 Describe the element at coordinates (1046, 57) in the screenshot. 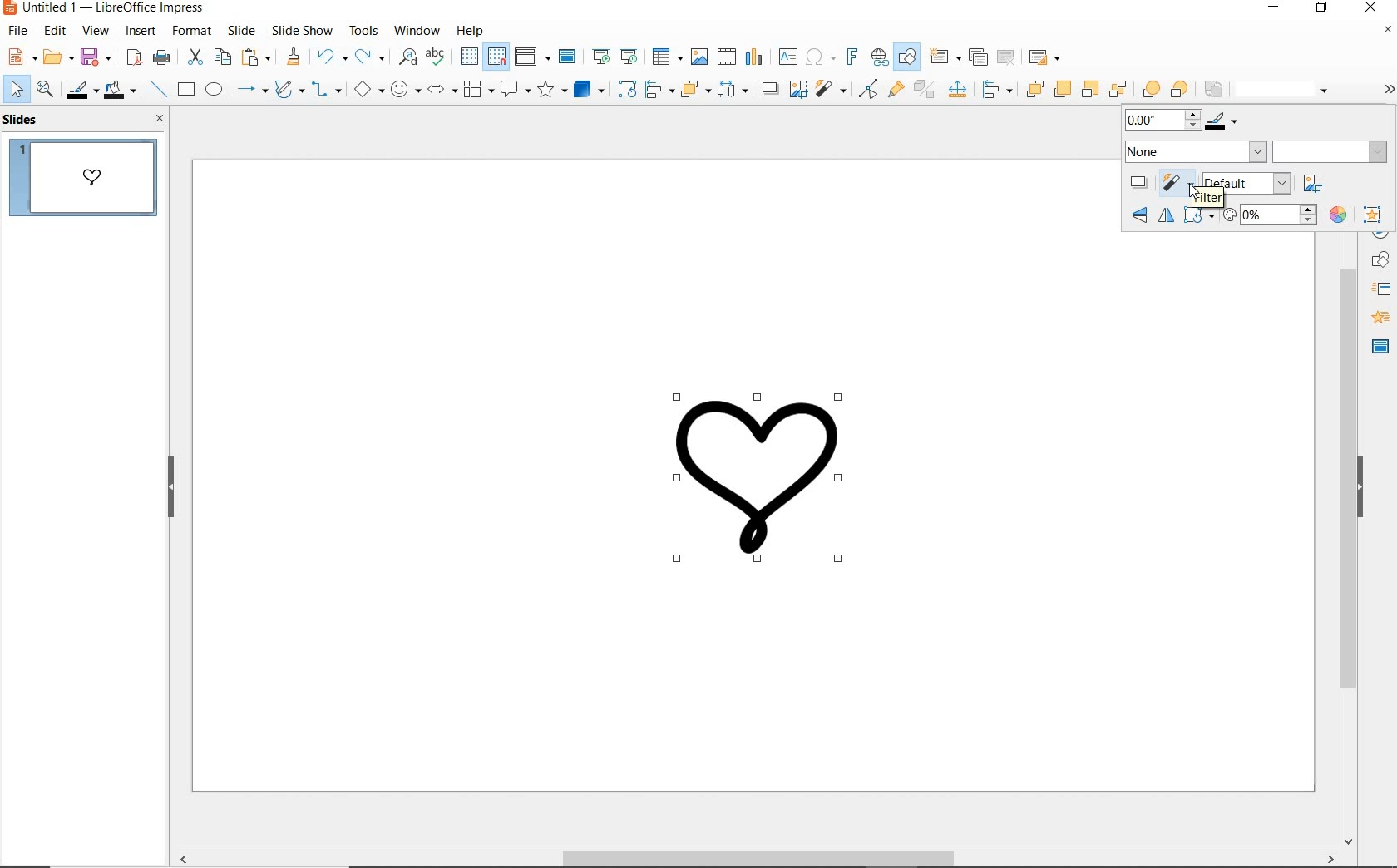

I see `slide layout` at that location.